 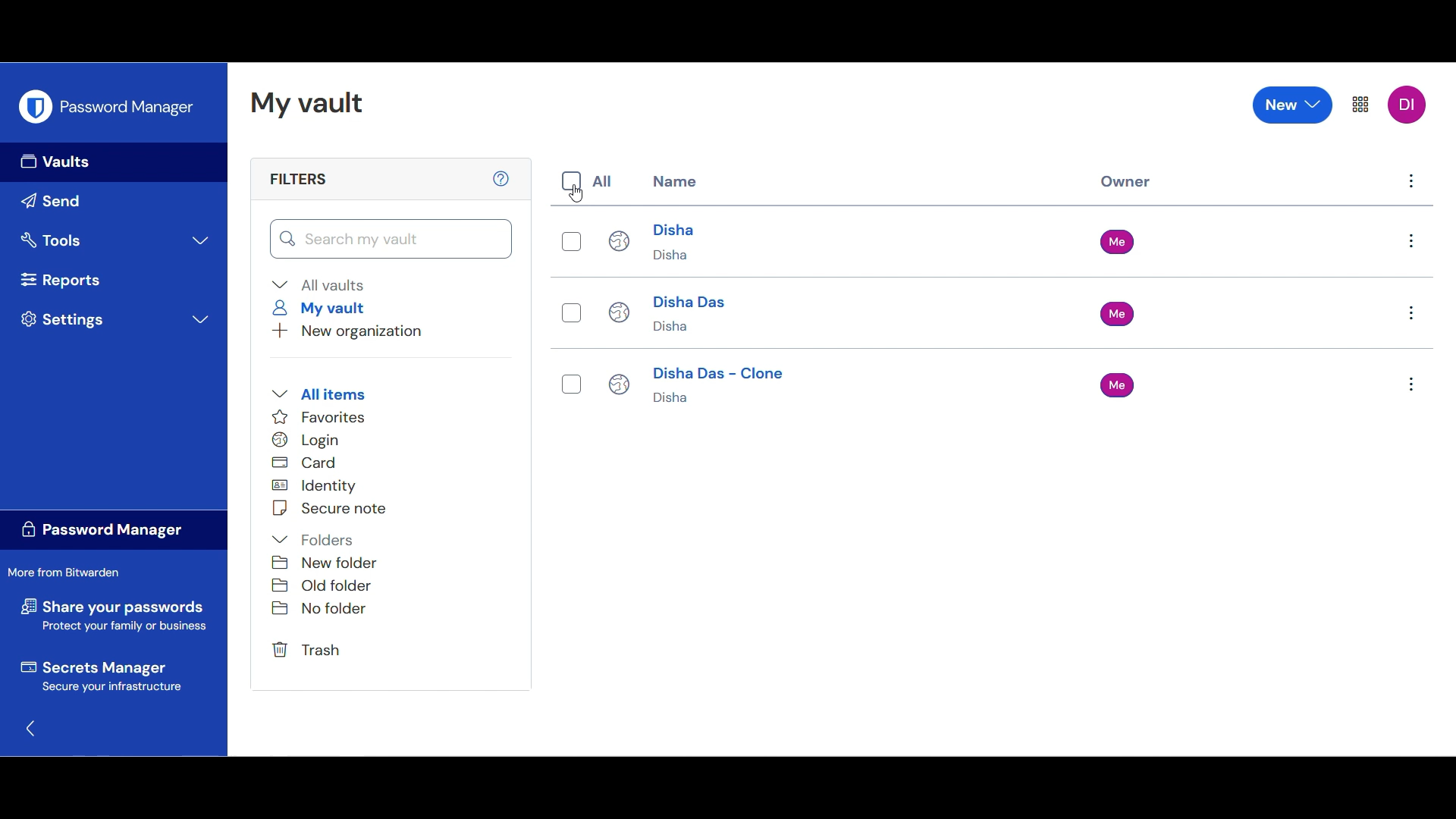 What do you see at coordinates (347, 331) in the screenshot?
I see `New organization` at bounding box center [347, 331].